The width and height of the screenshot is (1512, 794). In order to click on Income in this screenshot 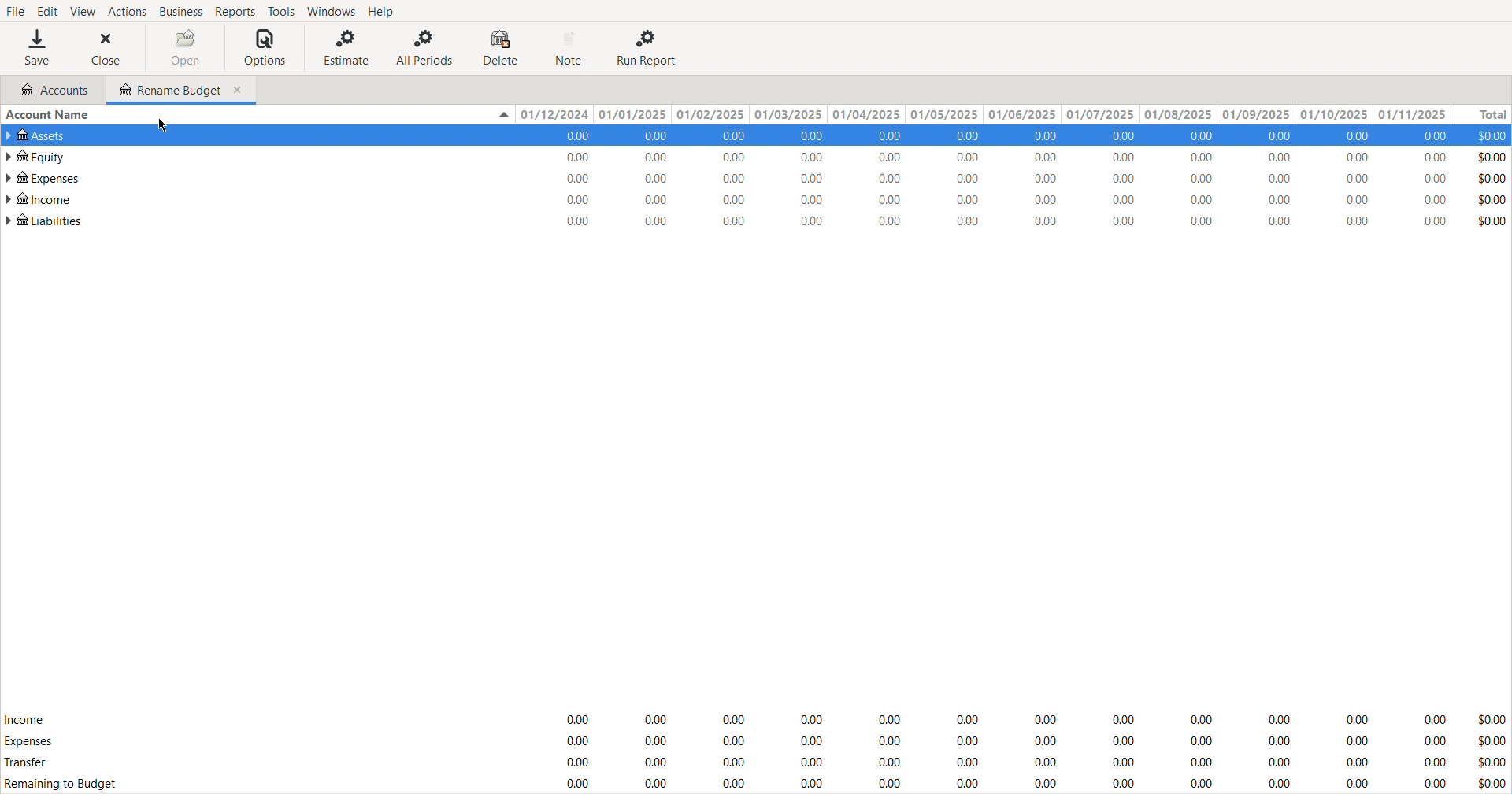, I will do `click(24, 718)`.